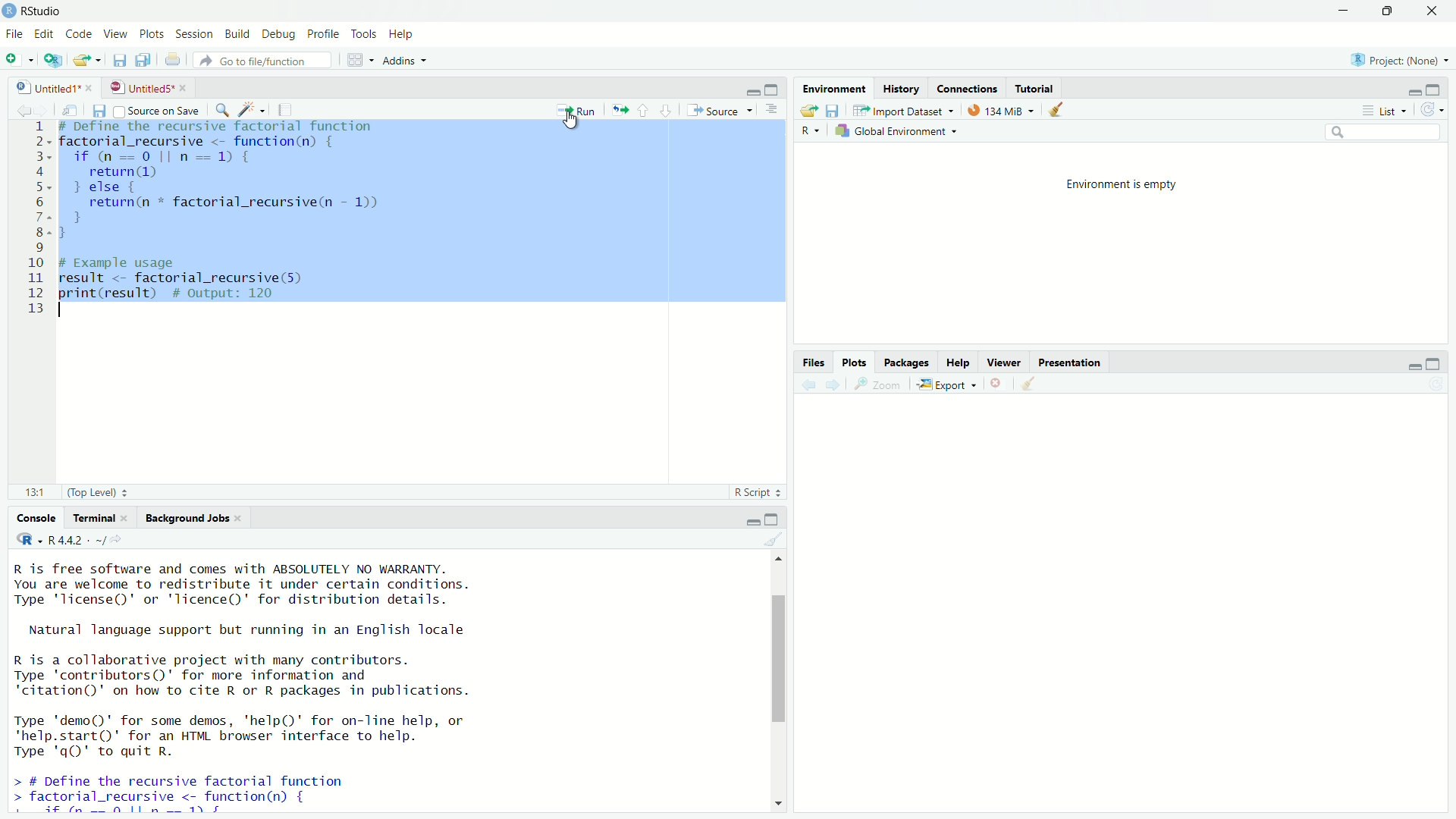 The image size is (1456, 819). Describe the element at coordinates (836, 110) in the screenshot. I see `Save workspace as` at that location.